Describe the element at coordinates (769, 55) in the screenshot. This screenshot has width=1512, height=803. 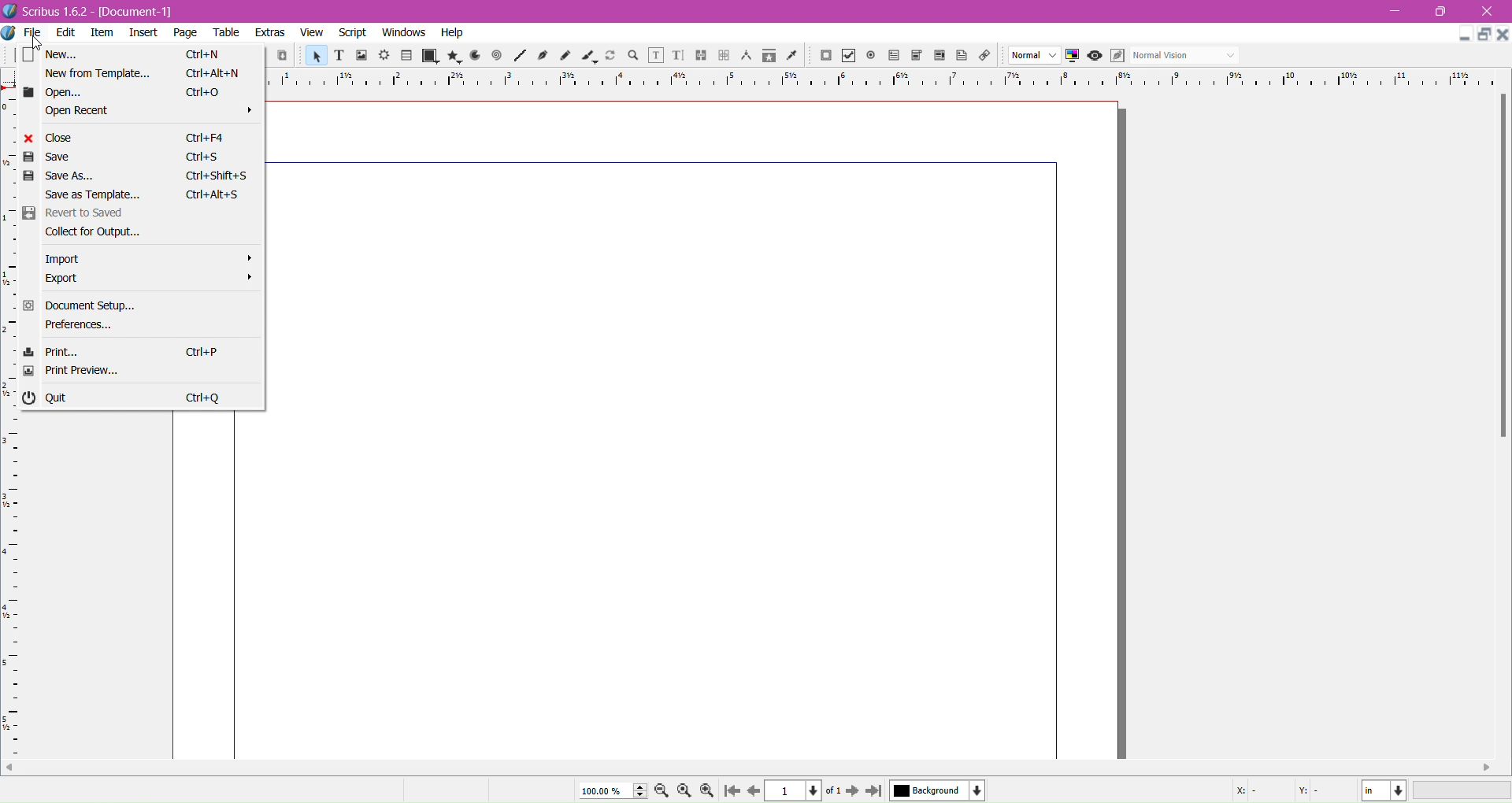
I see `Copy Item Properties` at that location.